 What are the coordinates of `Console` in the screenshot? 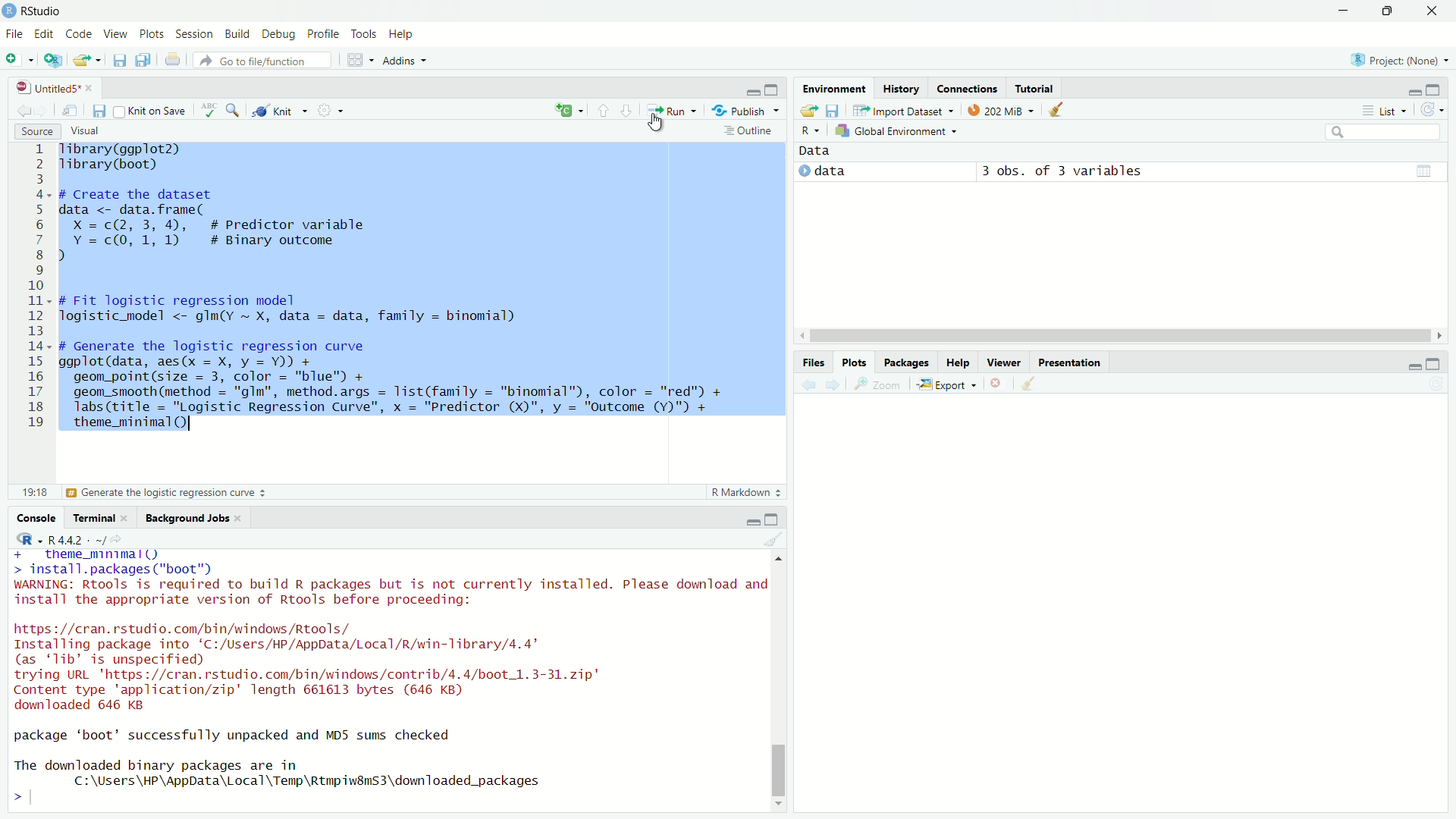 It's located at (36, 517).